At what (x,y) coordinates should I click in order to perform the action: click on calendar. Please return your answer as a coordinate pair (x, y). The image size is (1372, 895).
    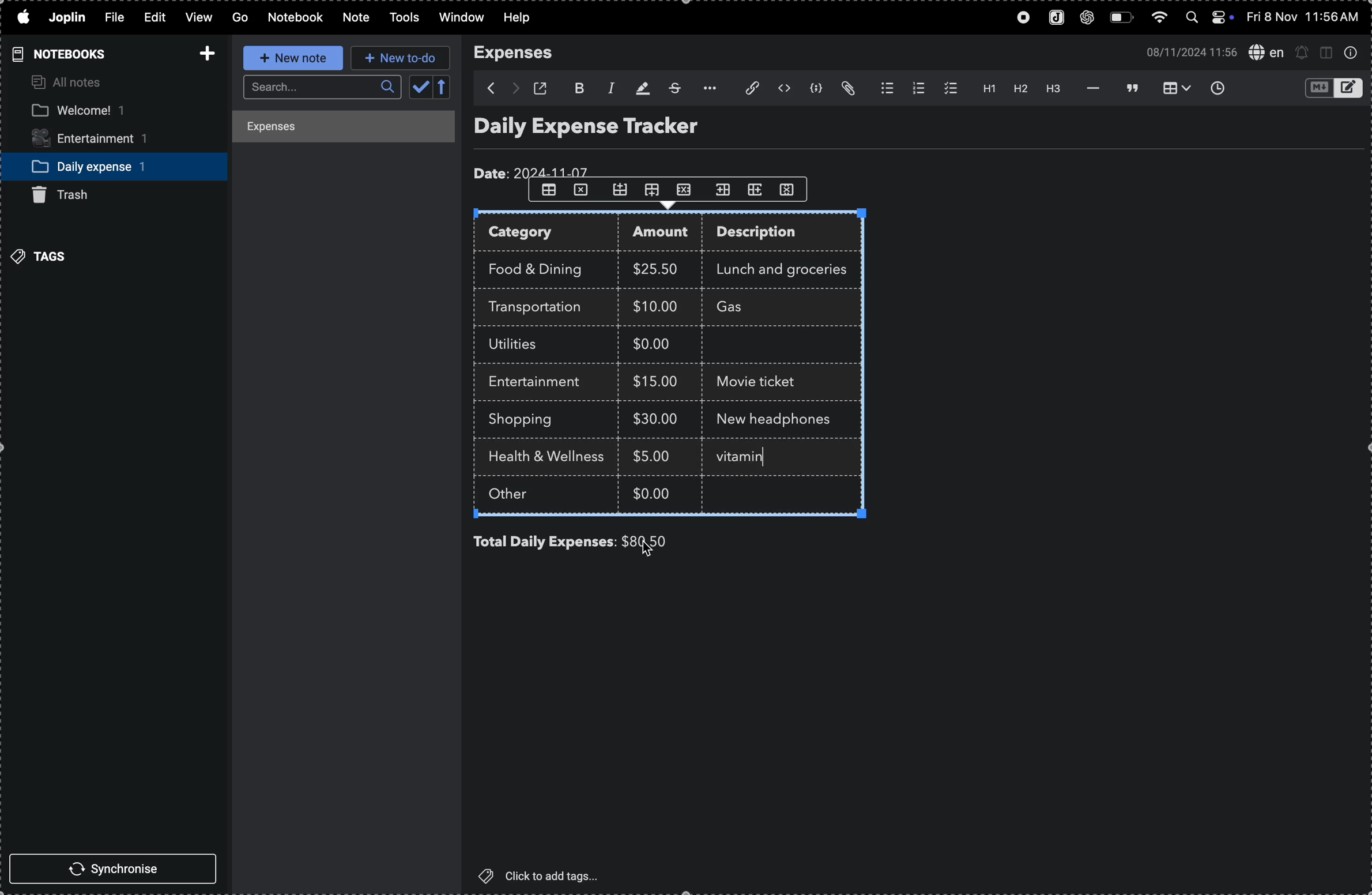
    Looking at the image, I should click on (431, 88).